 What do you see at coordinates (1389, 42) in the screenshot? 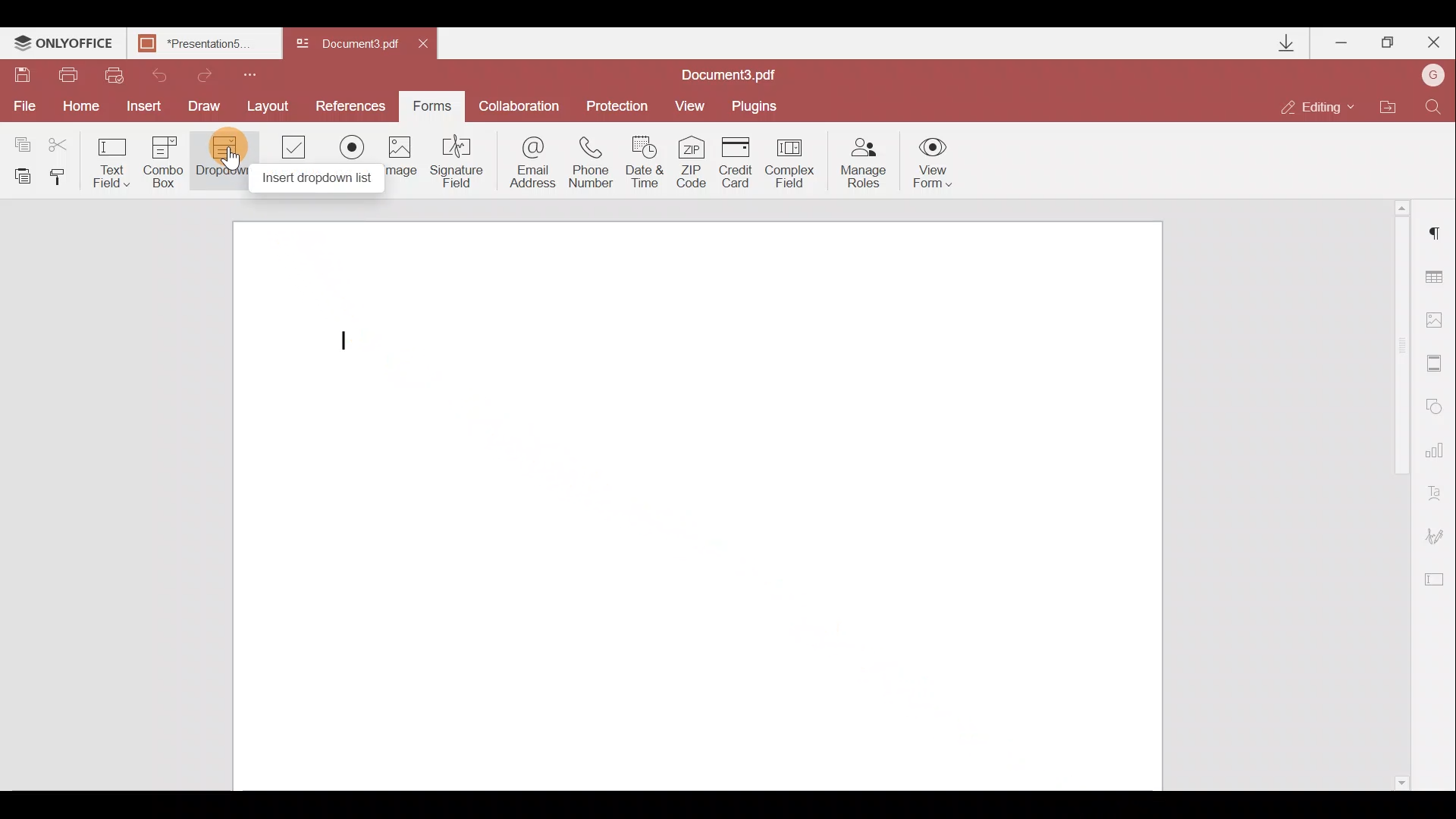
I see `Maximize` at bounding box center [1389, 42].